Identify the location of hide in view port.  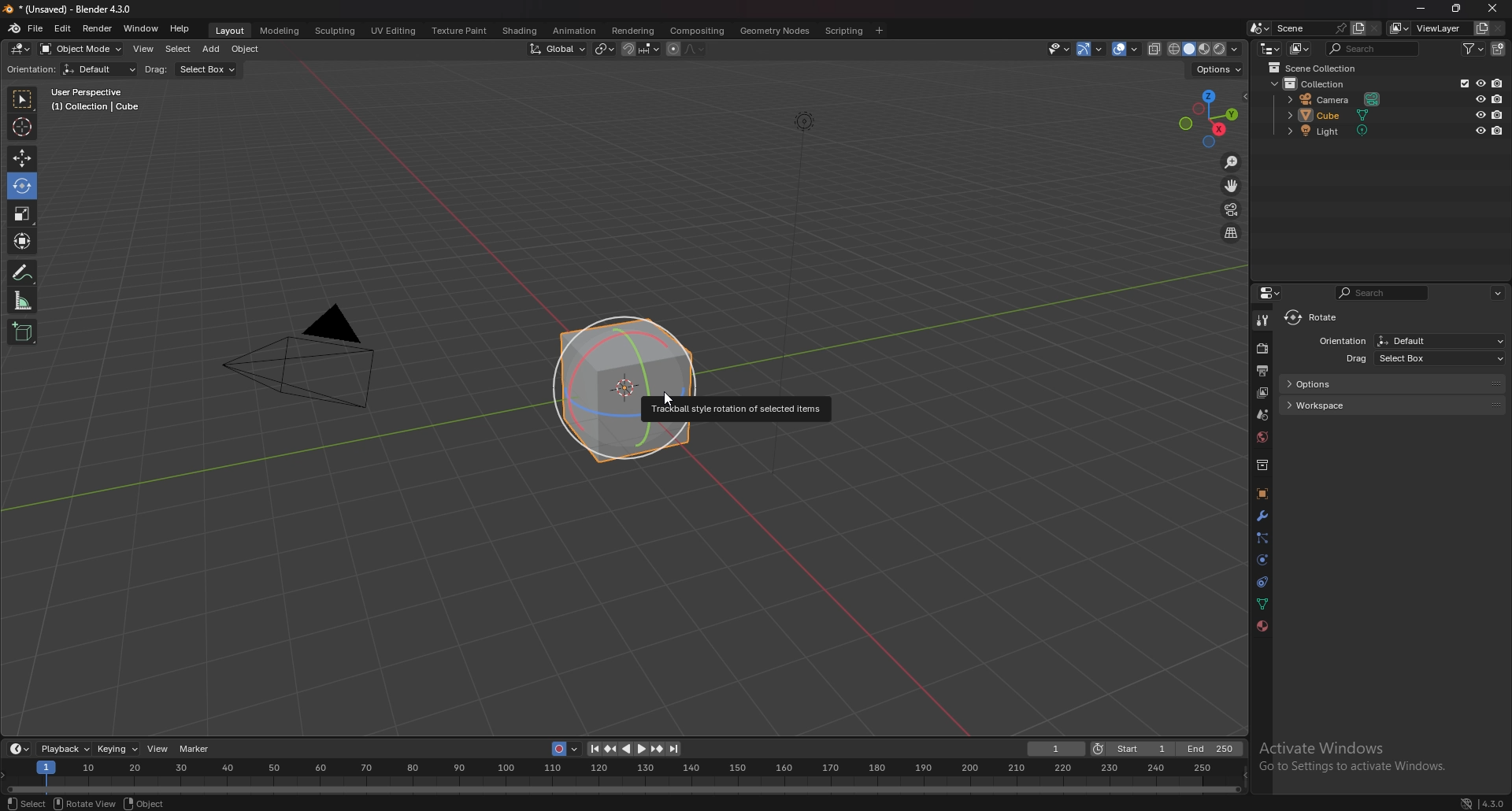
(1480, 83).